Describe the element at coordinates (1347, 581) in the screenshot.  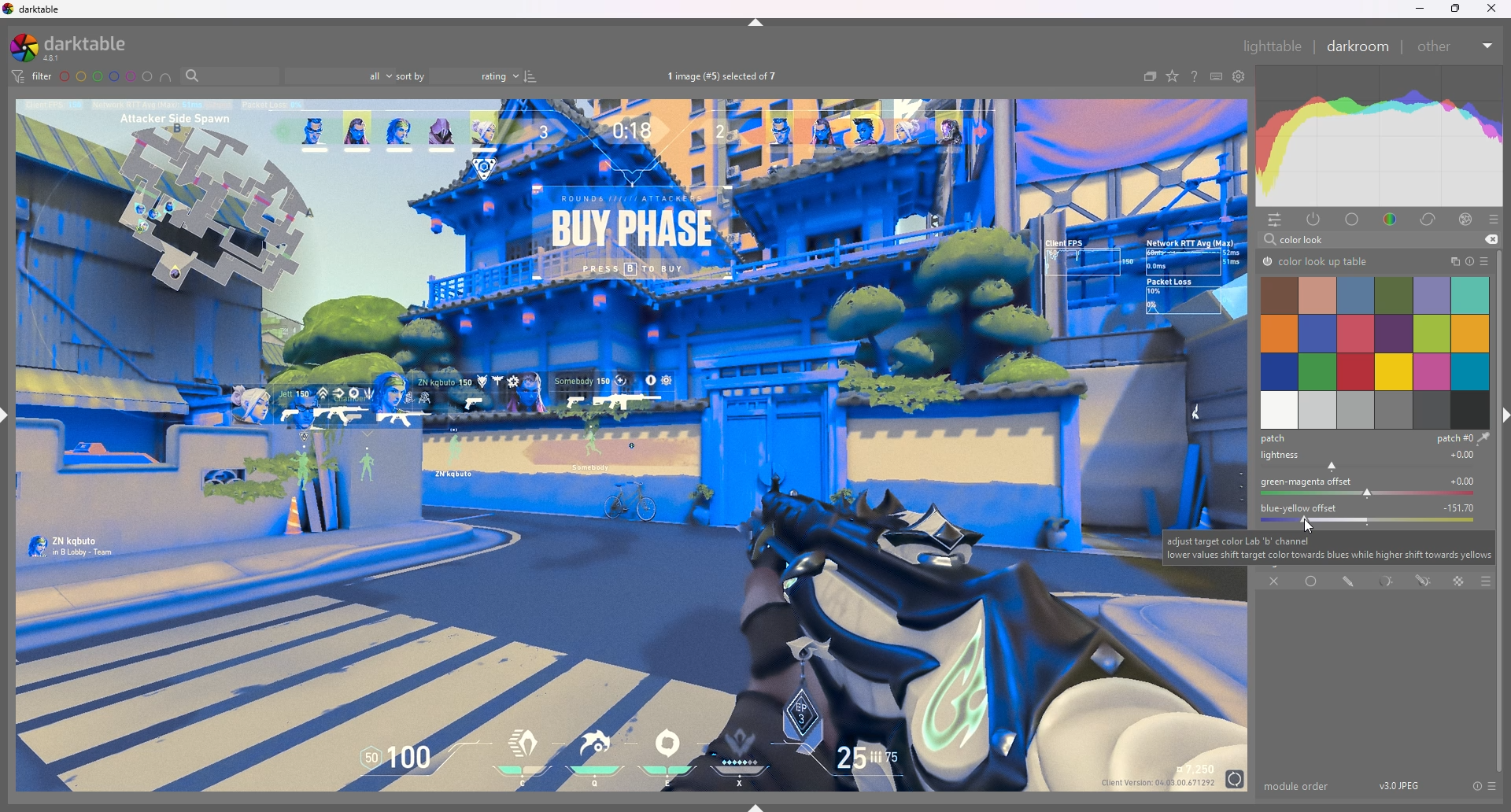
I see `drawn mask` at that location.